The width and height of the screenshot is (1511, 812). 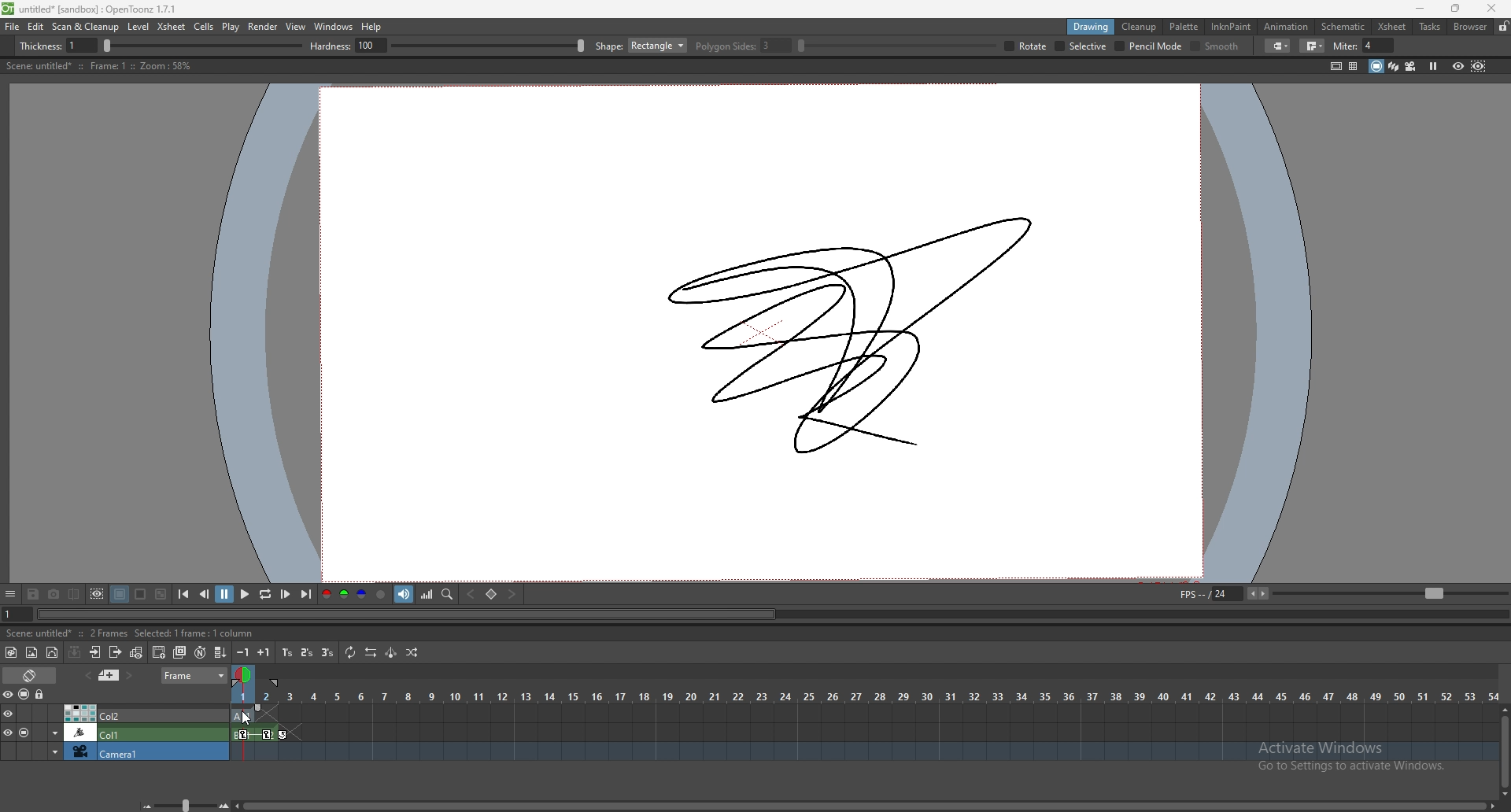 What do you see at coordinates (865, 696) in the screenshot?
I see `time scale` at bounding box center [865, 696].